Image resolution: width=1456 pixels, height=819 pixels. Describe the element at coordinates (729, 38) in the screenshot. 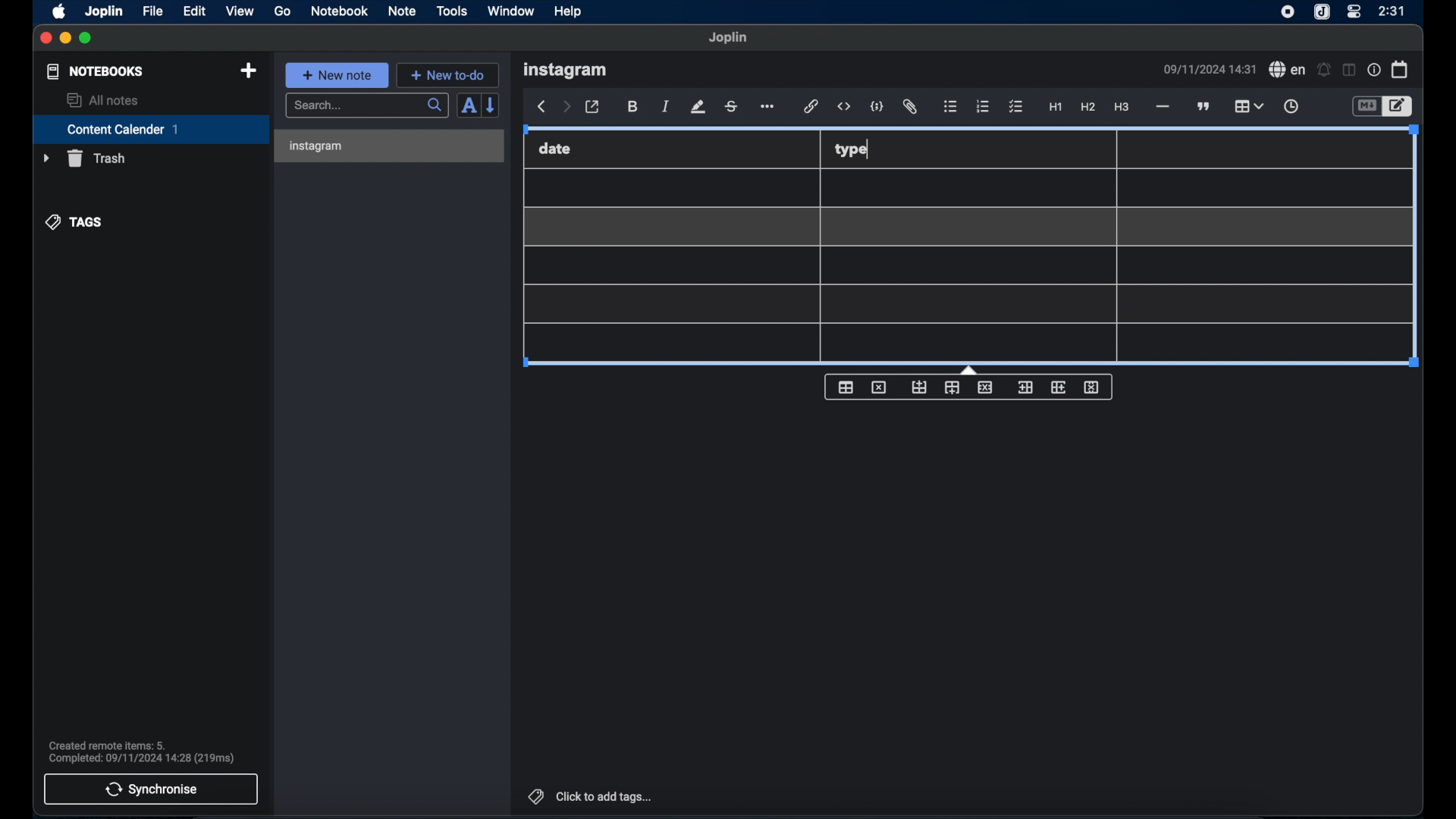

I see `Joplin` at that location.